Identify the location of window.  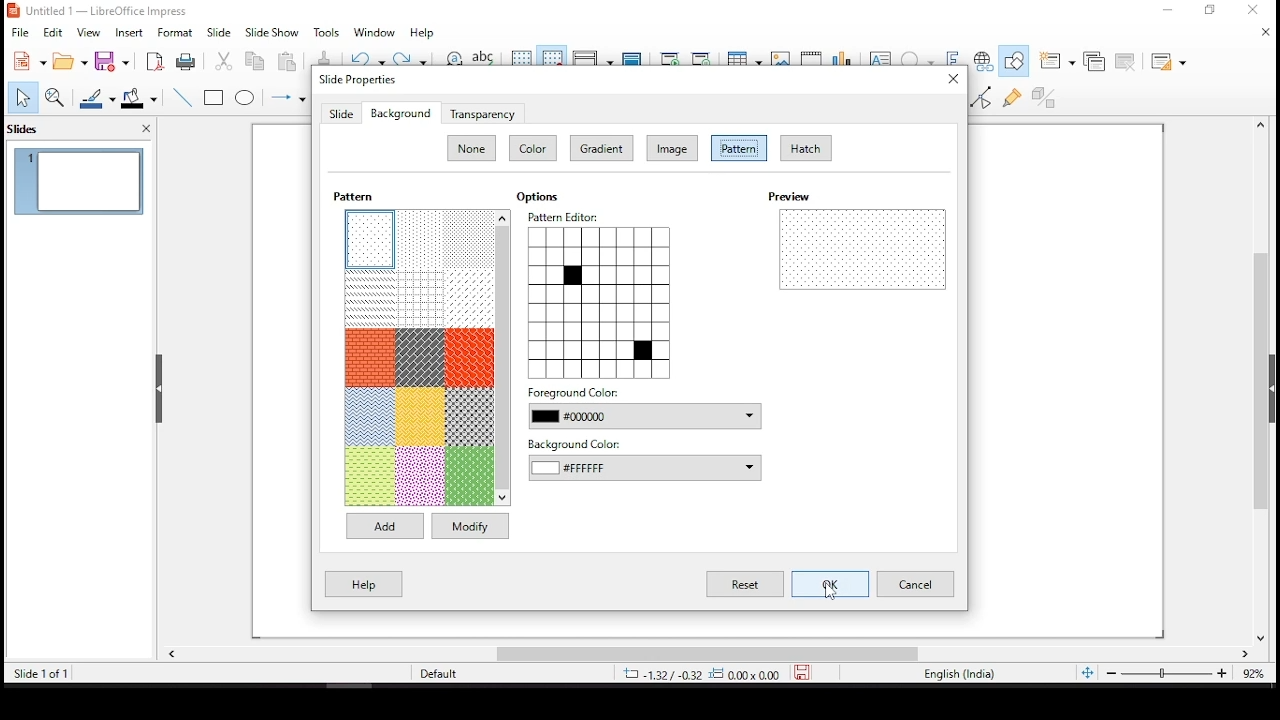
(371, 32).